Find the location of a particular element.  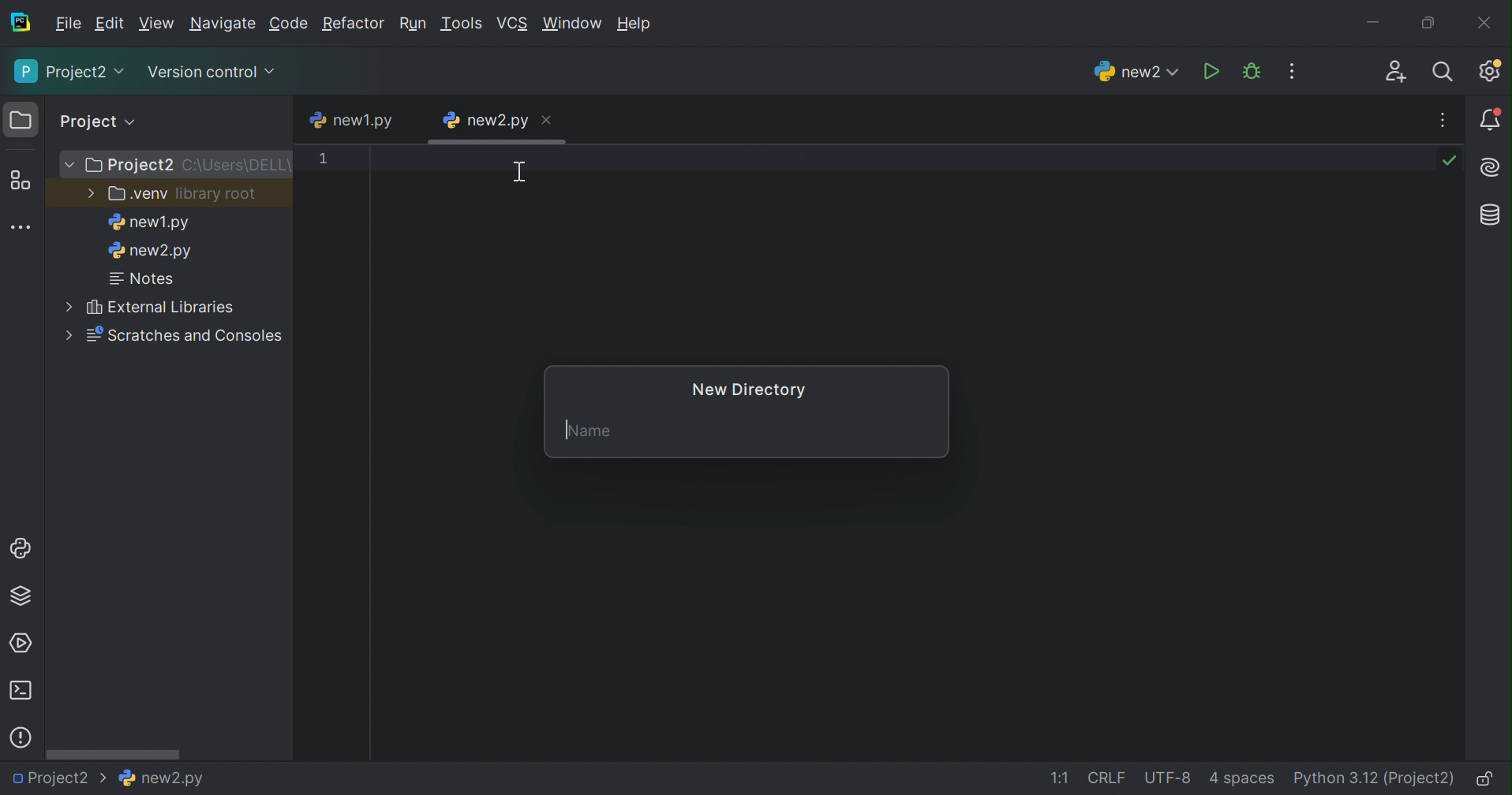

Notifications is located at coordinates (1491, 120).